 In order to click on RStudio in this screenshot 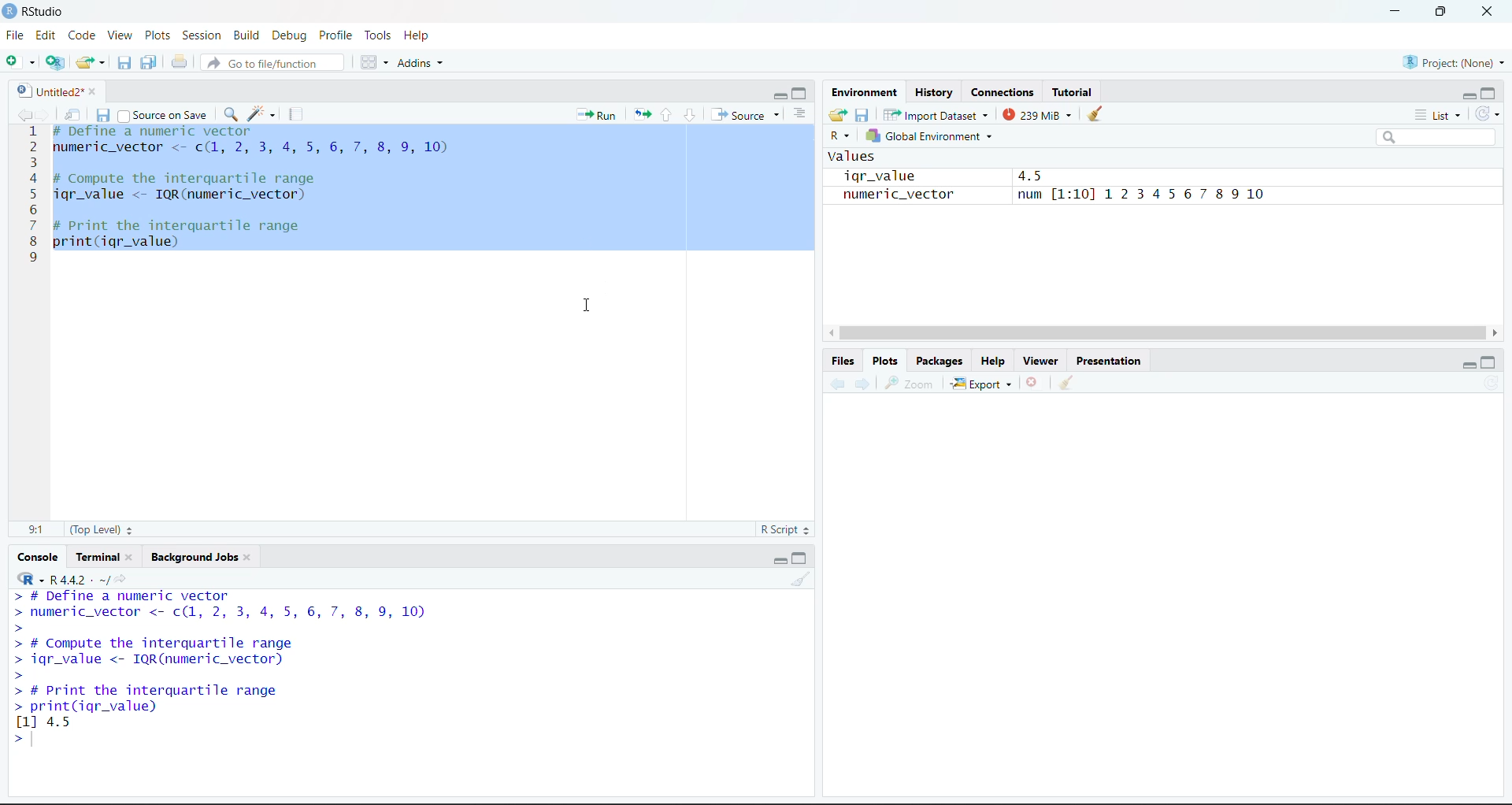, I will do `click(36, 13)`.